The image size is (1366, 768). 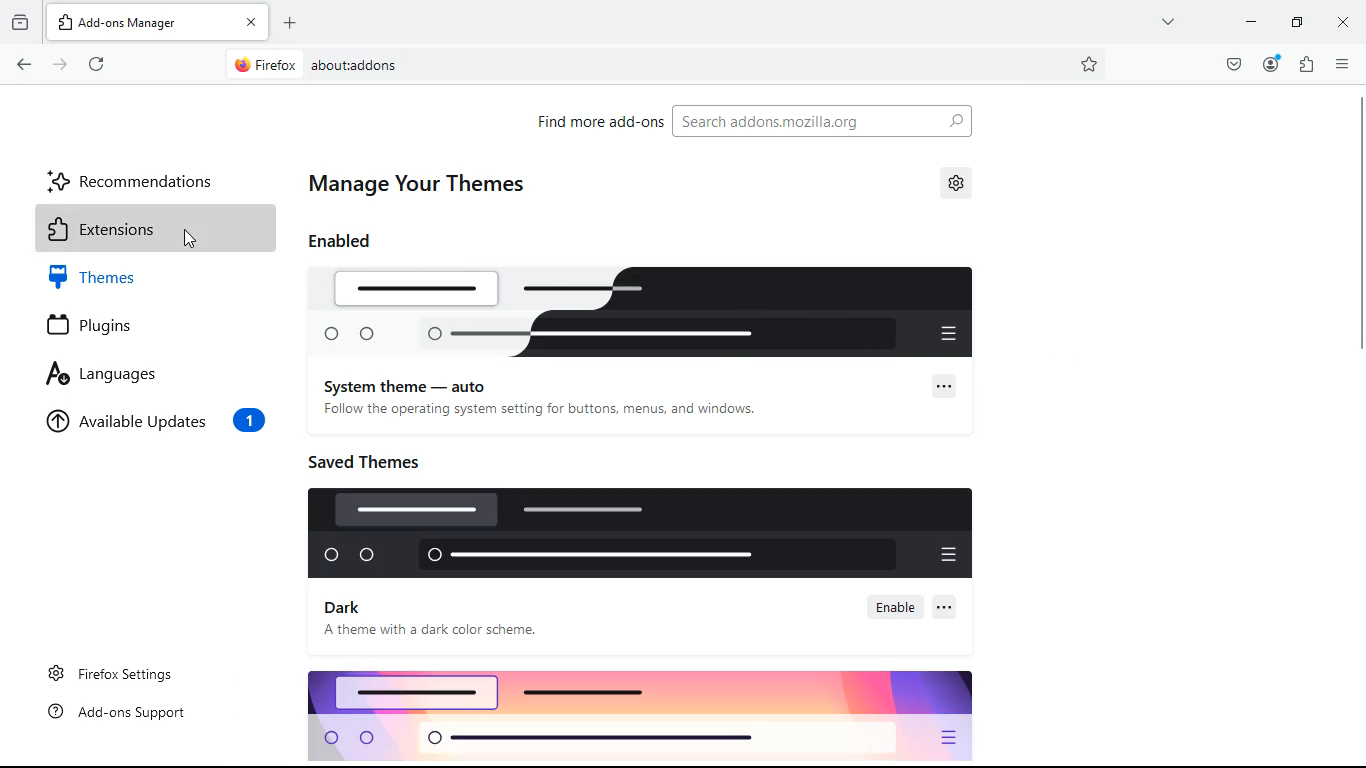 I want to click on back, so click(x=19, y=66).